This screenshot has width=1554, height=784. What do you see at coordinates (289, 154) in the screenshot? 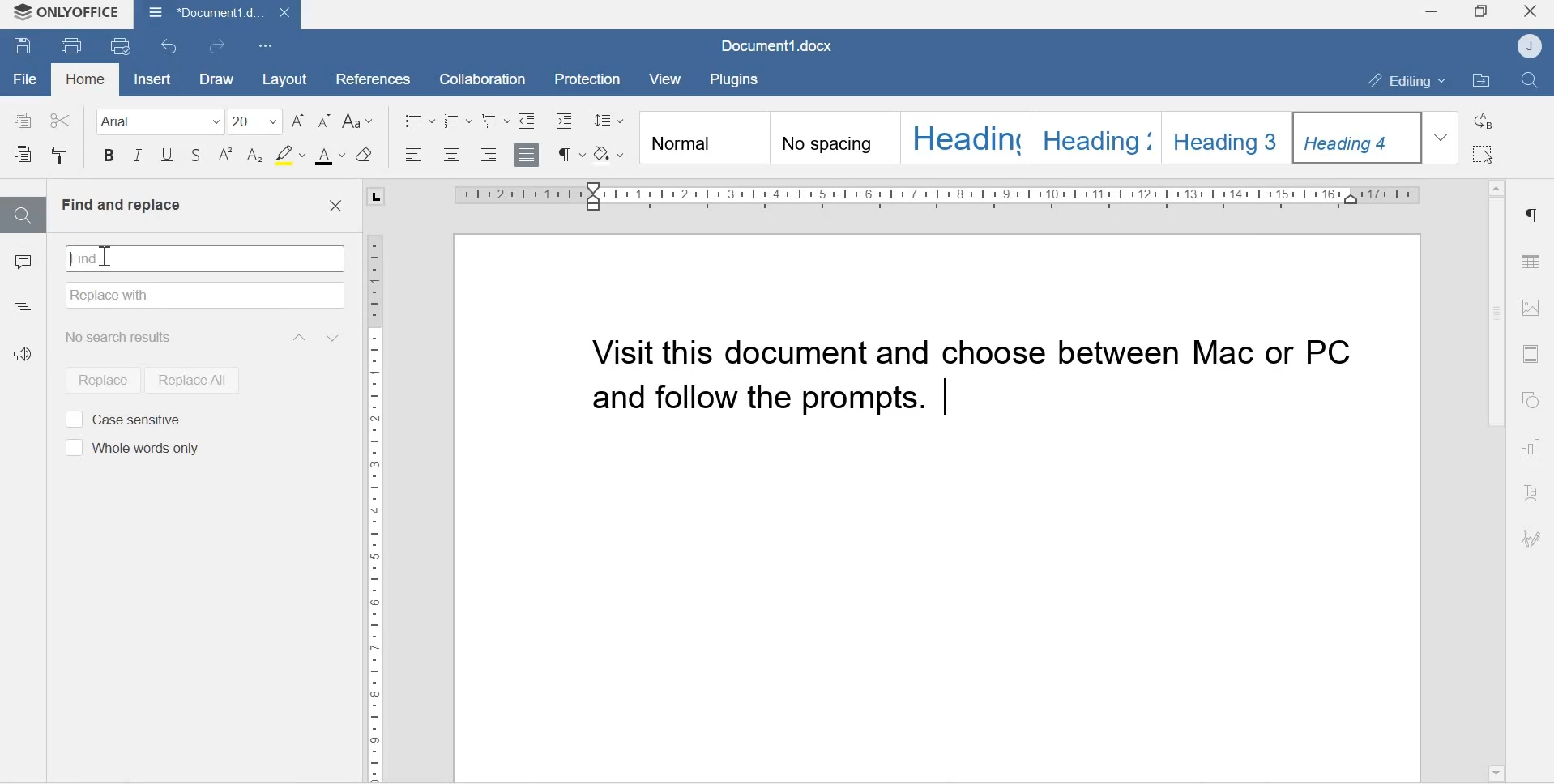
I see `Highlight color` at bounding box center [289, 154].